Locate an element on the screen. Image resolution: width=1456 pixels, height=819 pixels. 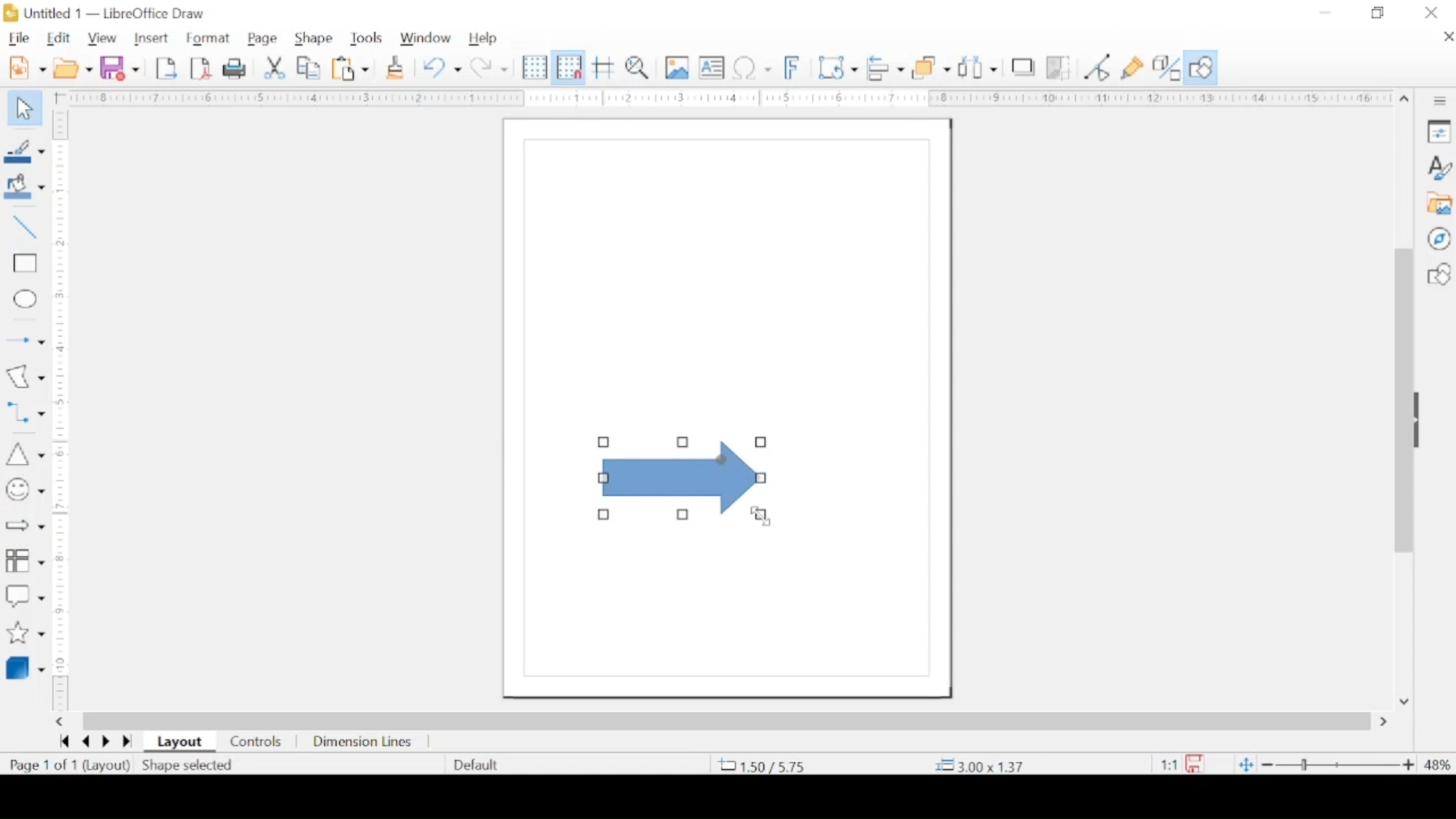
view is located at coordinates (101, 39).